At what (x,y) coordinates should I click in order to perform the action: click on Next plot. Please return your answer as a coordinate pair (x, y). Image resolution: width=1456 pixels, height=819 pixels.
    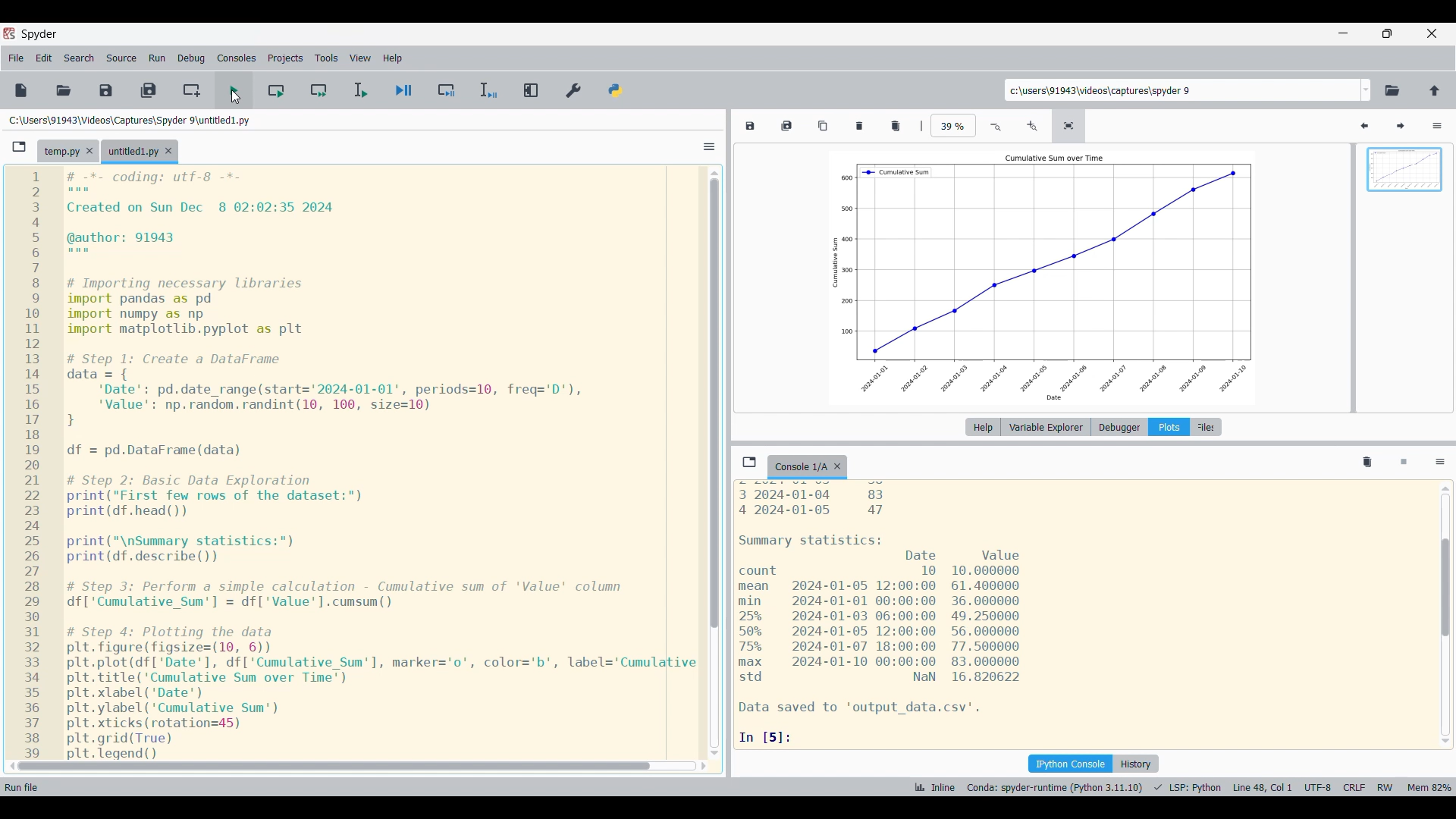
    Looking at the image, I should click on (1401, 126).